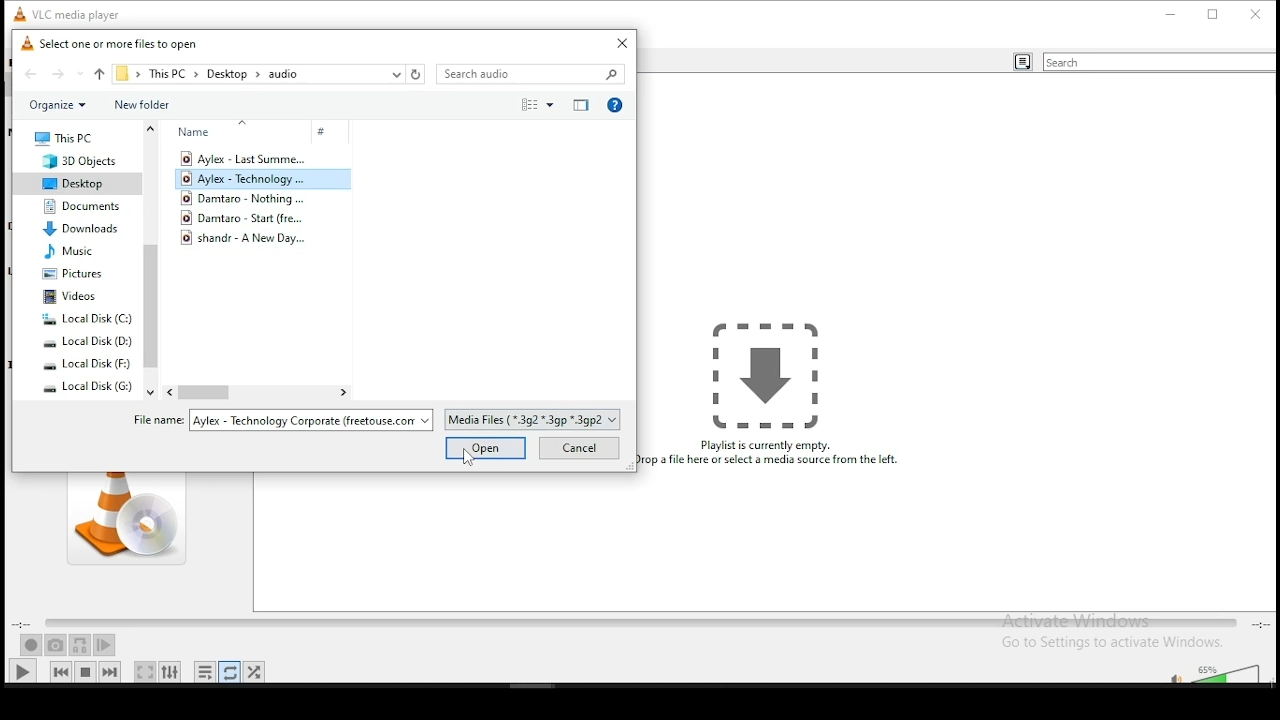 This screenshot has width=1280, height=720. I want to click on file type, so click(536, 418).